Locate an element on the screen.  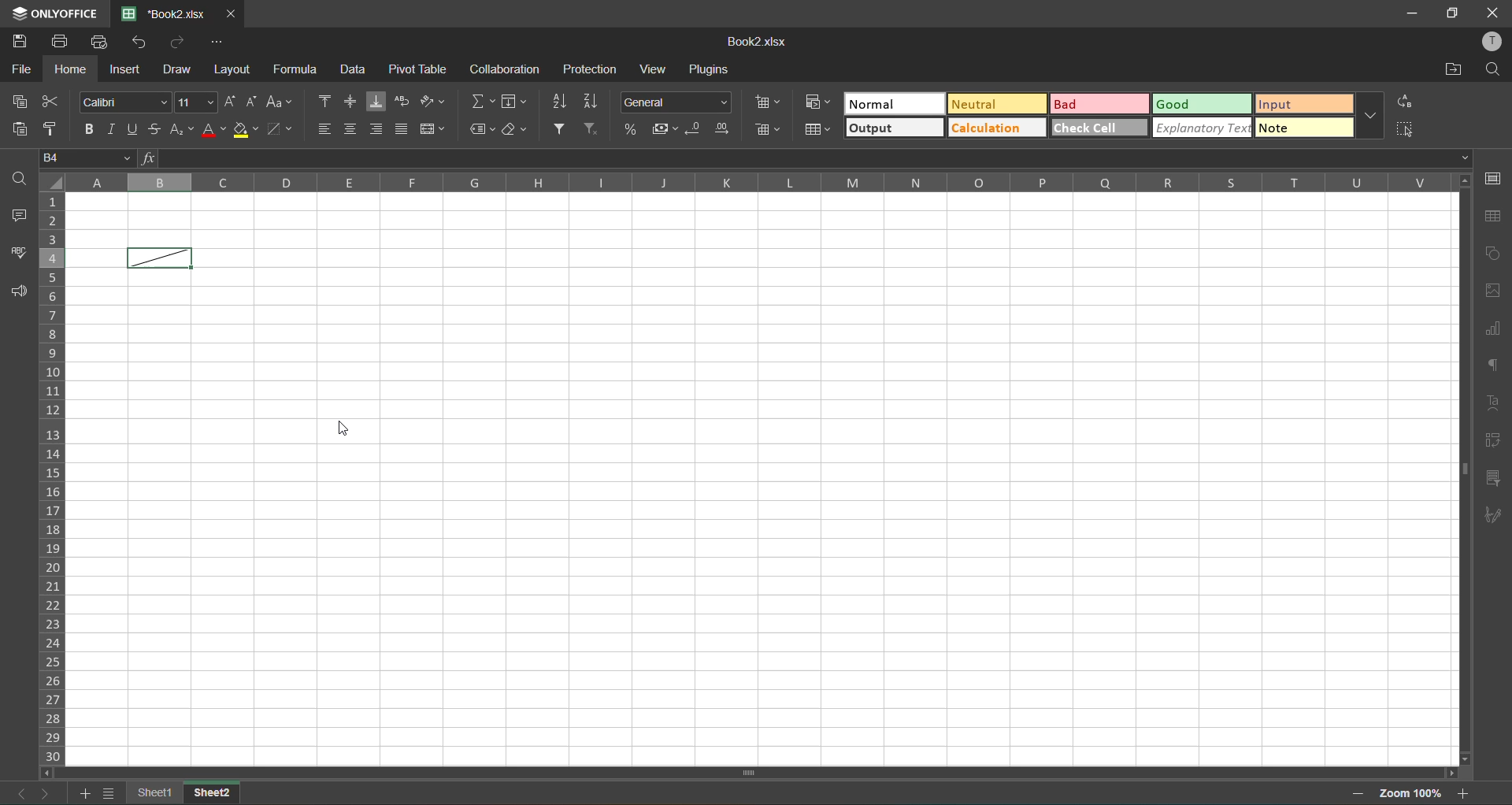
align middle is located at coordinates (354, 102).